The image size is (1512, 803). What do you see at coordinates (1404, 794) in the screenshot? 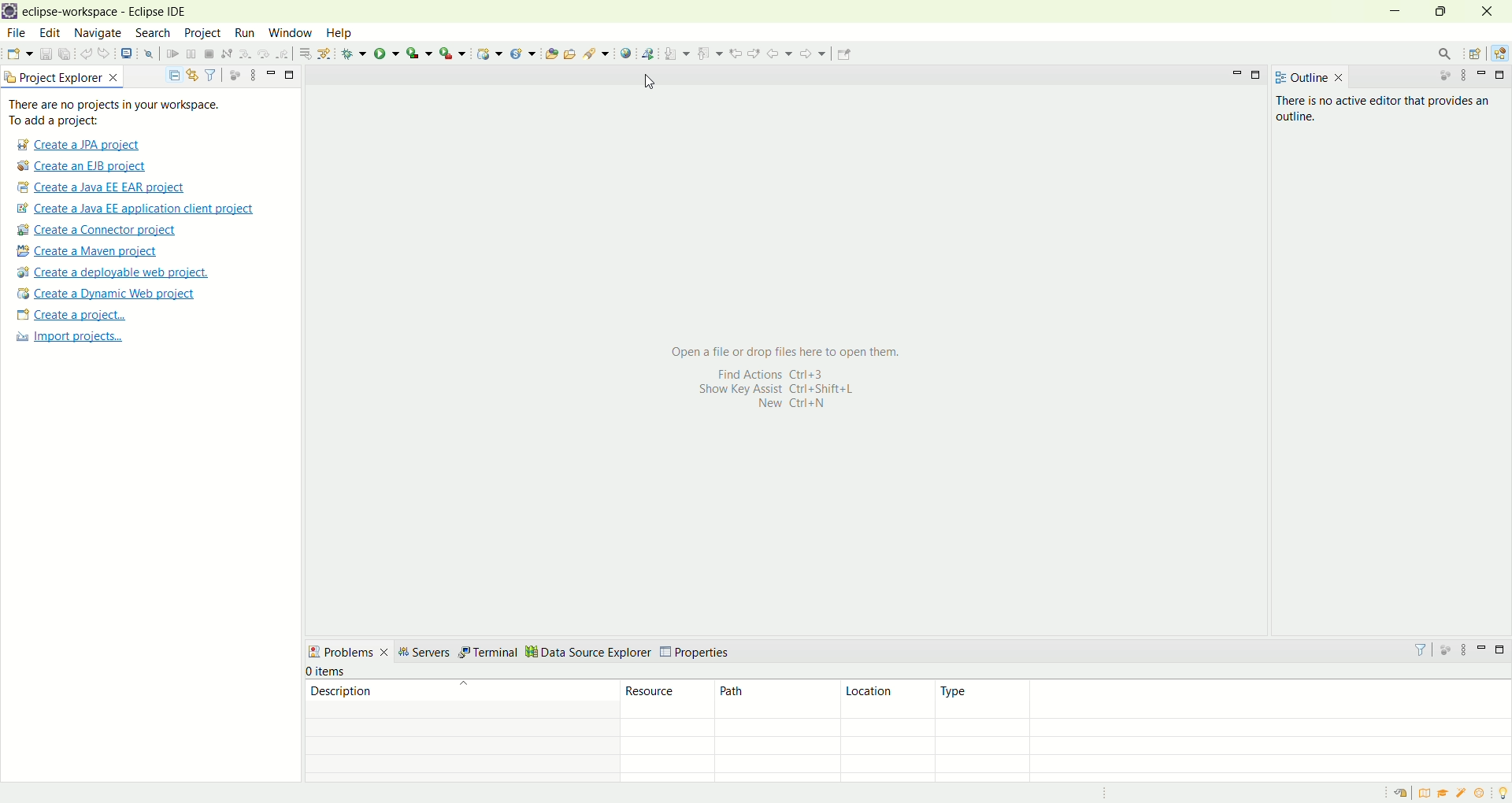
I see `restore welcome` at bounding box center [1404, 794].